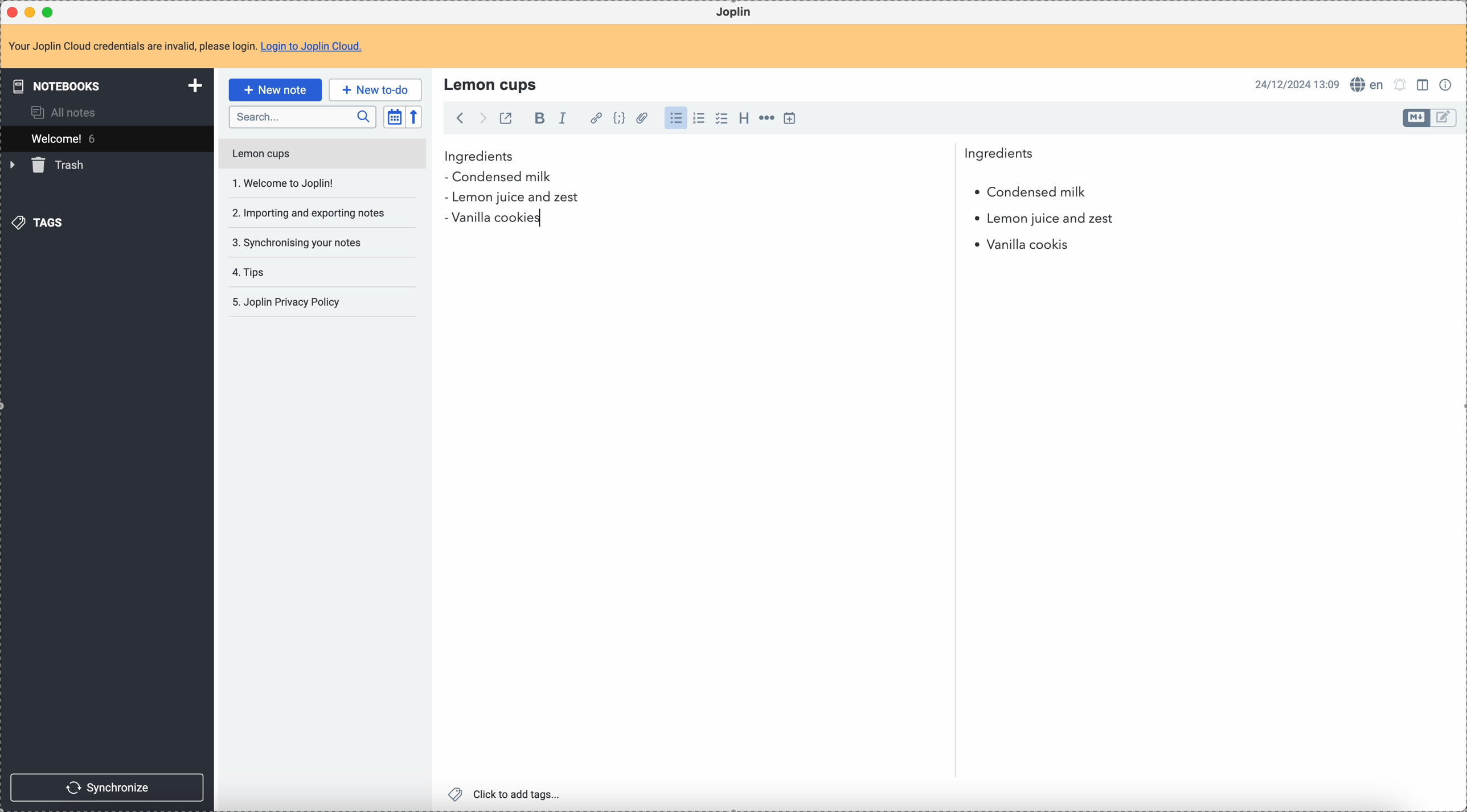 The width and height of the screenshot is (1467, 812). I want to click on condensed milk, so click(1029, 192).